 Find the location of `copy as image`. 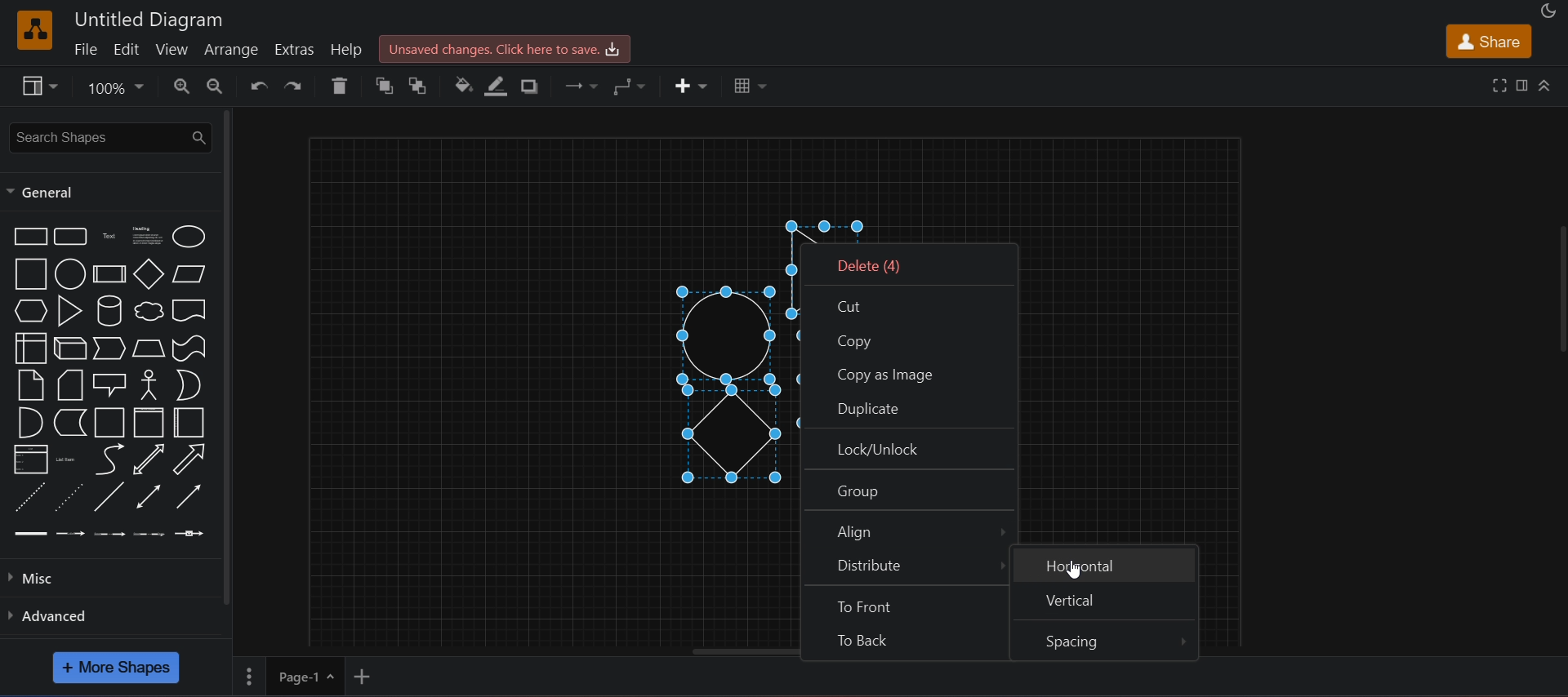

copy as image is located at coordinates (908, 370).